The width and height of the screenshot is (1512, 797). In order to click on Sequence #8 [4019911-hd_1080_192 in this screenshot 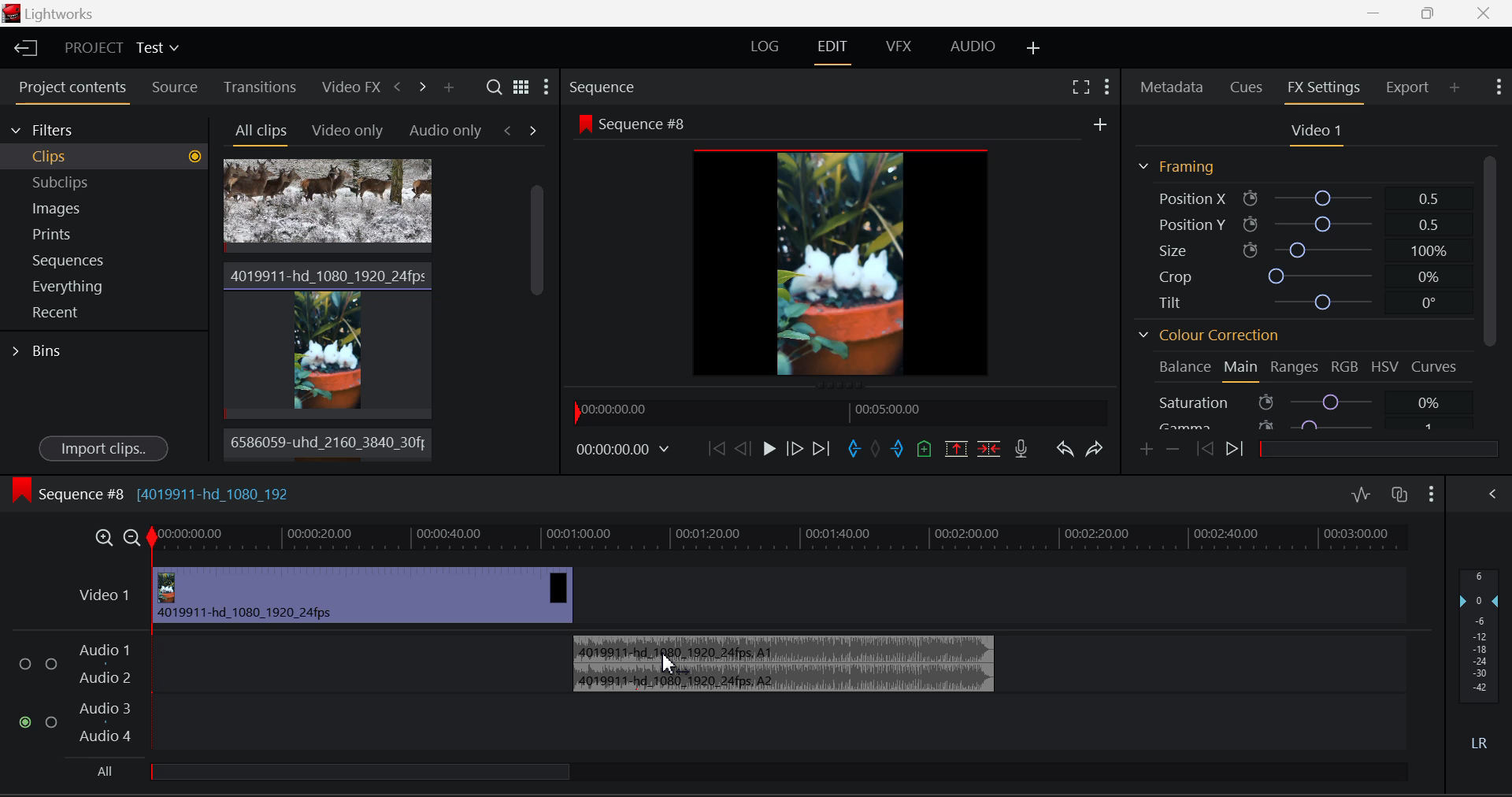, I will do `click(152, 490)`.